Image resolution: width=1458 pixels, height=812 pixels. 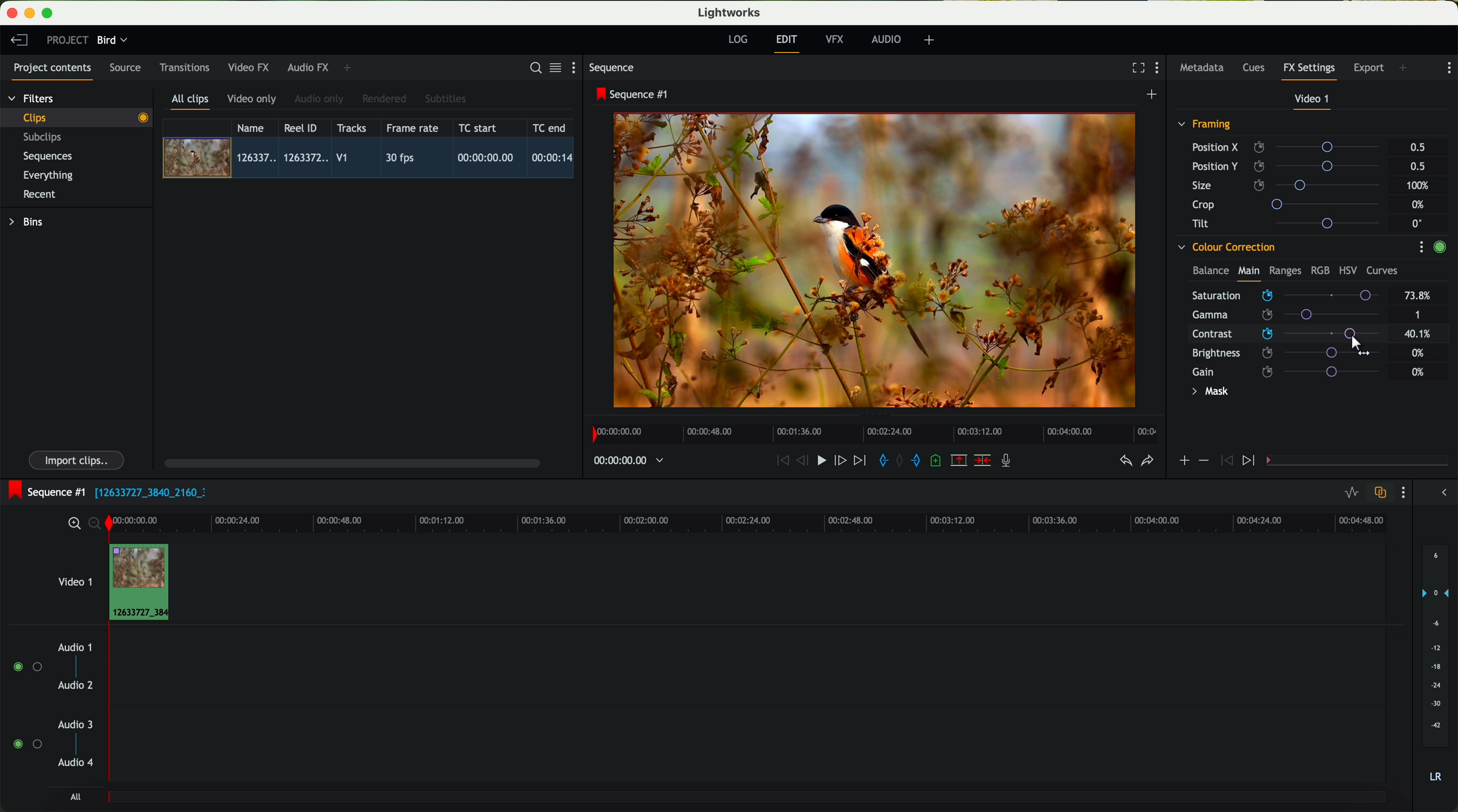 I want to click on timeline, so click(x=871, y=431).